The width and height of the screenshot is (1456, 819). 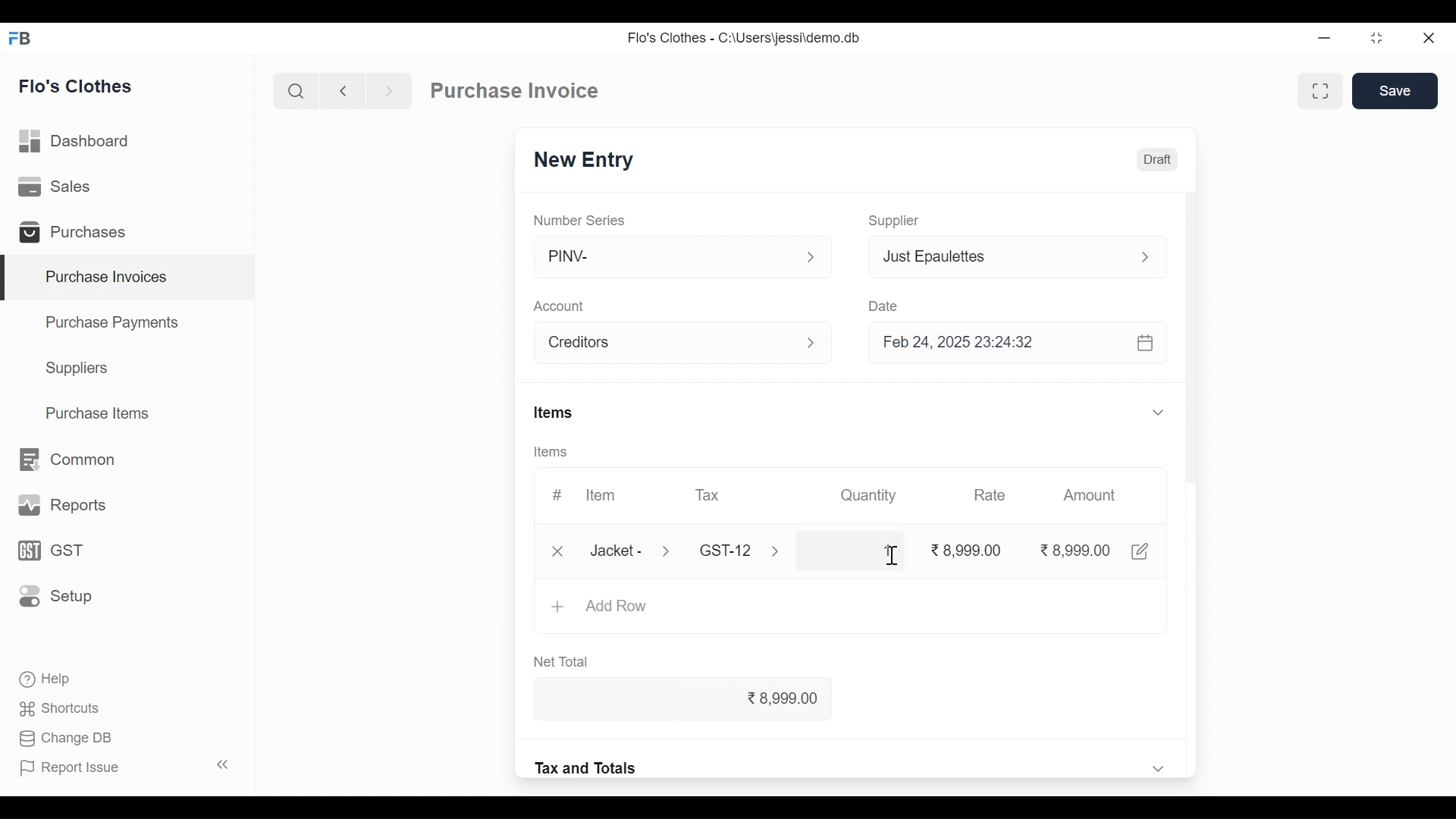 What do you see at coordinates (967, 551) in the screenshot?
I see `8,999.00` at bounding box center [967, 551].